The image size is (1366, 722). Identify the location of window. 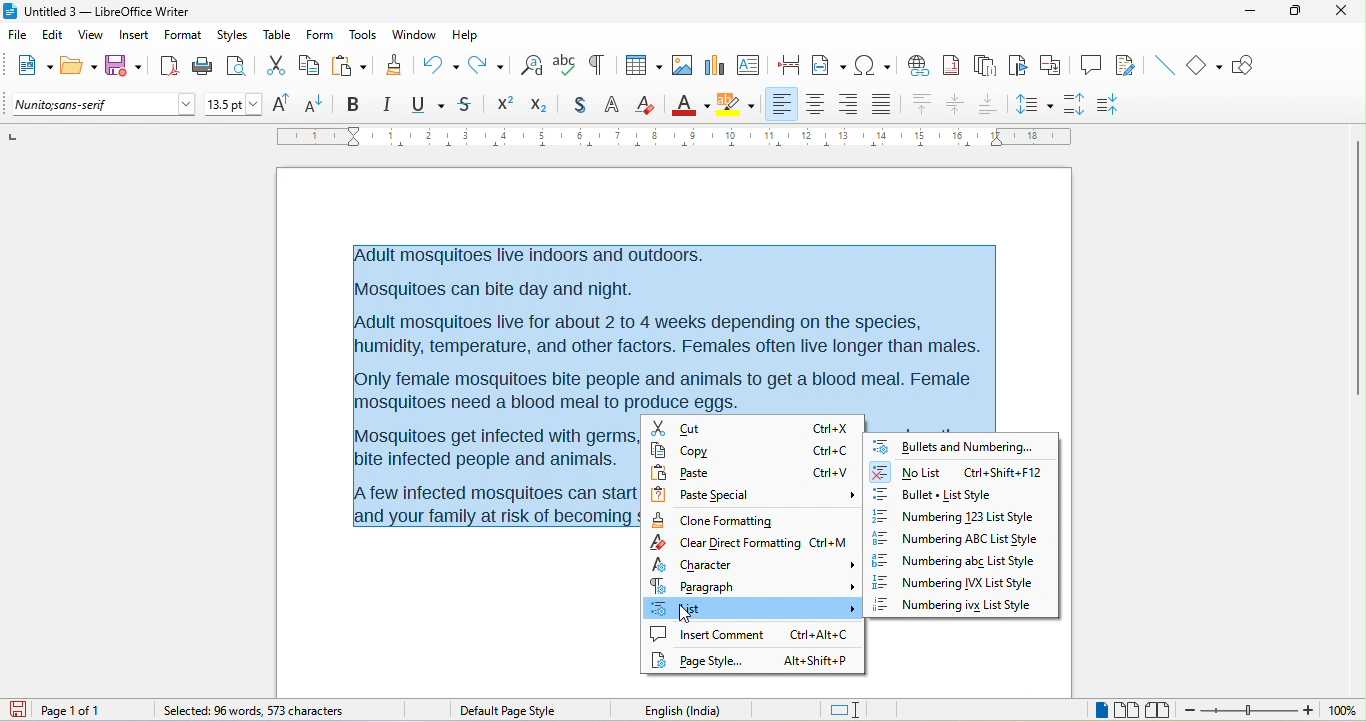
(413, 37).